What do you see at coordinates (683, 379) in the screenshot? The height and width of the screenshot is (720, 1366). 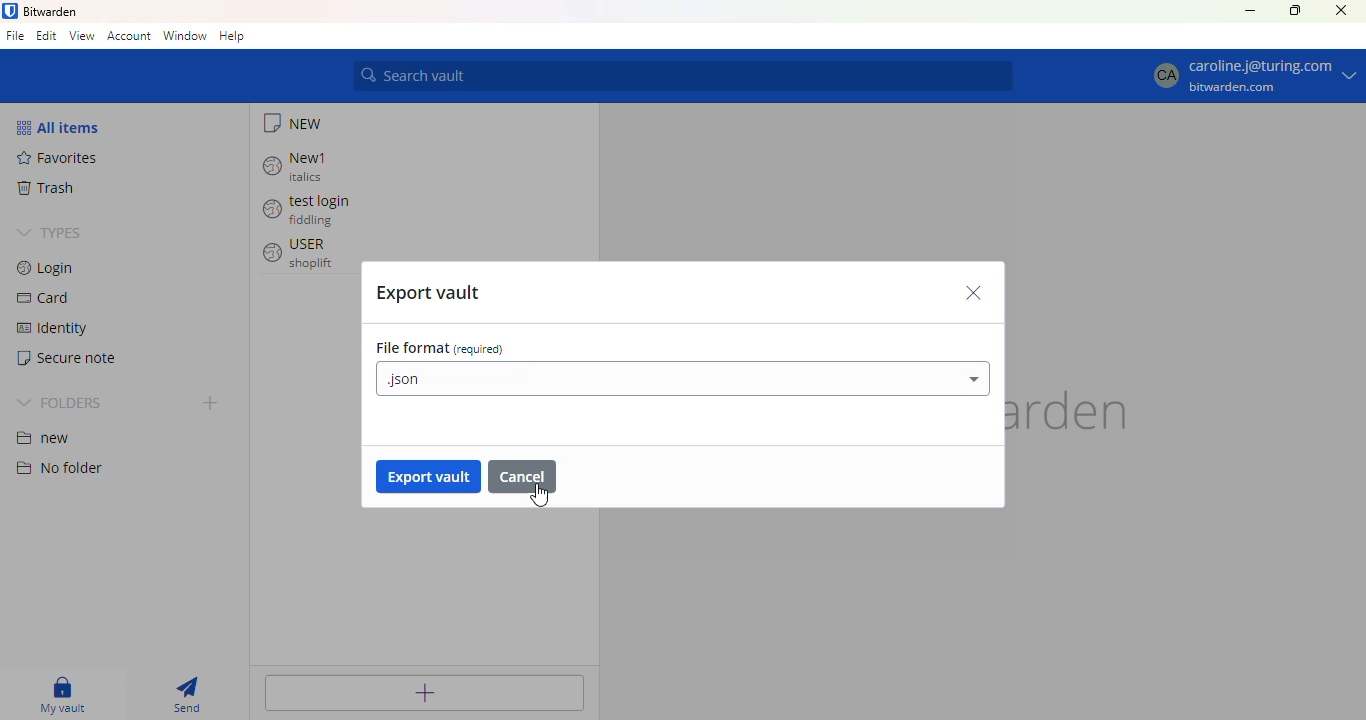 I see `select file format` at bounding box center [683, 379].